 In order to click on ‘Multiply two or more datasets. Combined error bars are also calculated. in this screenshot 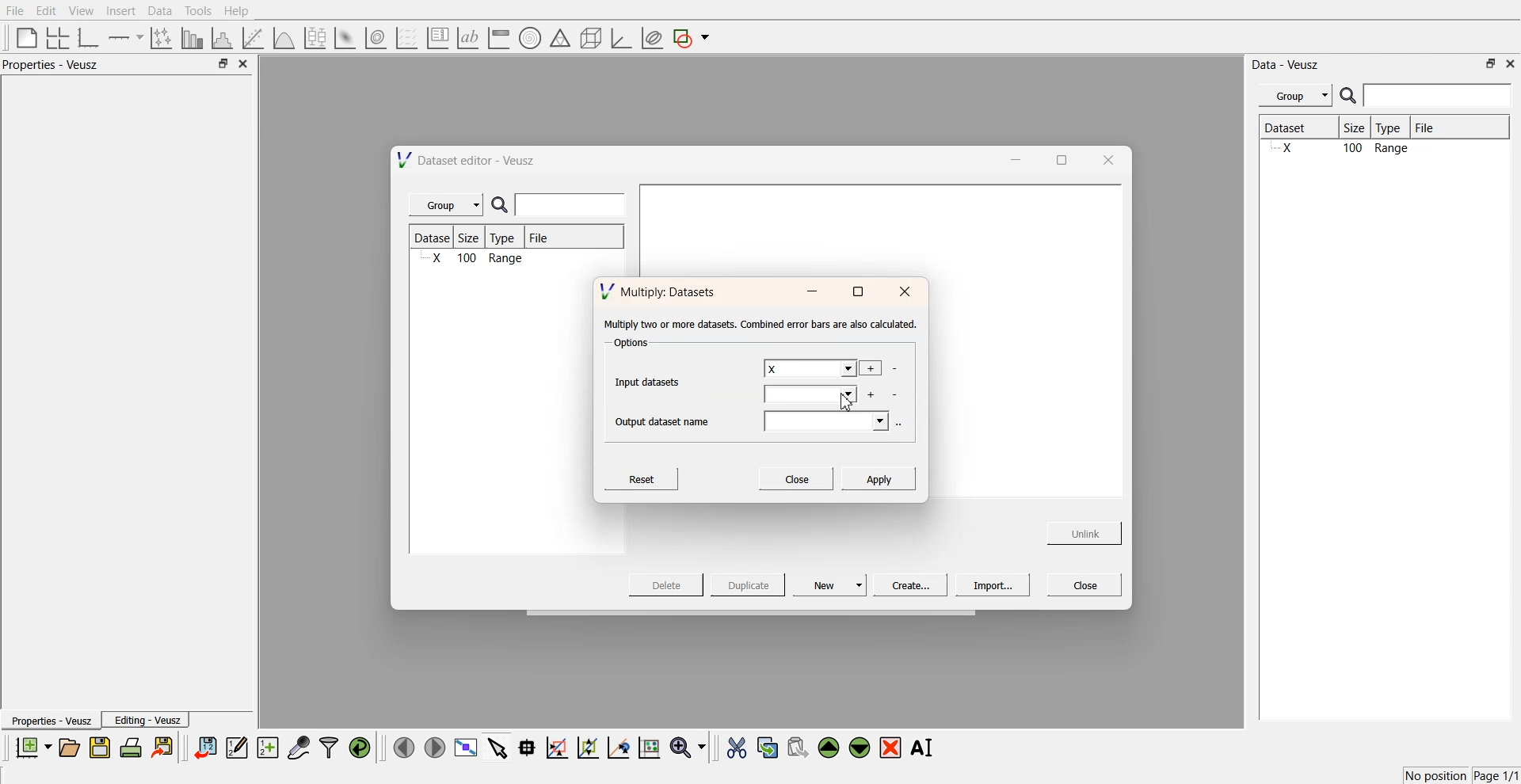, I will do `click(760, 325)`.